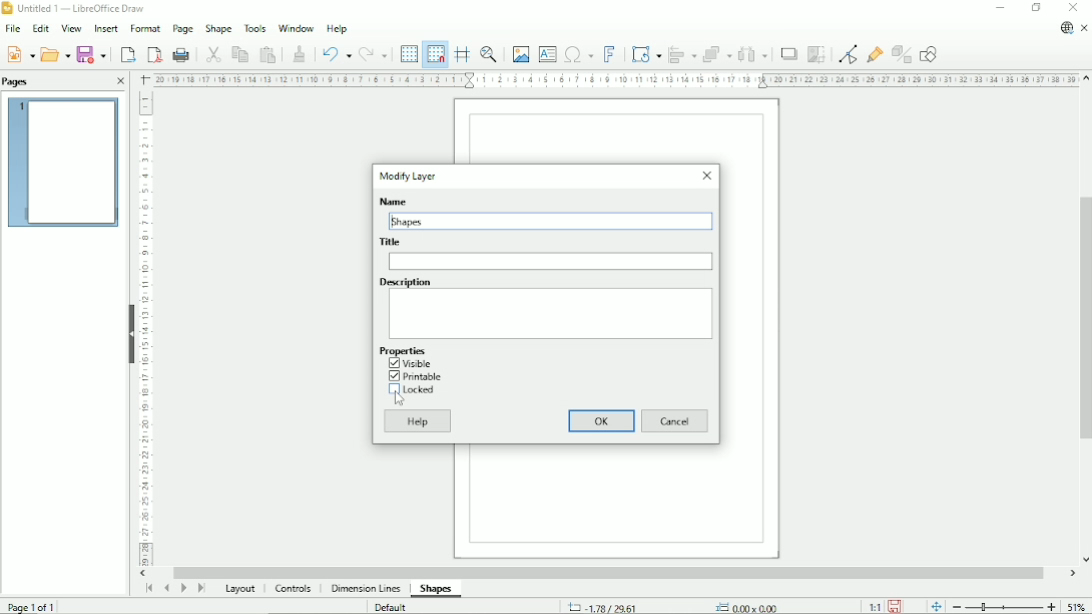 The image size is (1092, 614). Describe the element at coordinates (646, 53) in the screenshot. I see `Transformation` at that location.